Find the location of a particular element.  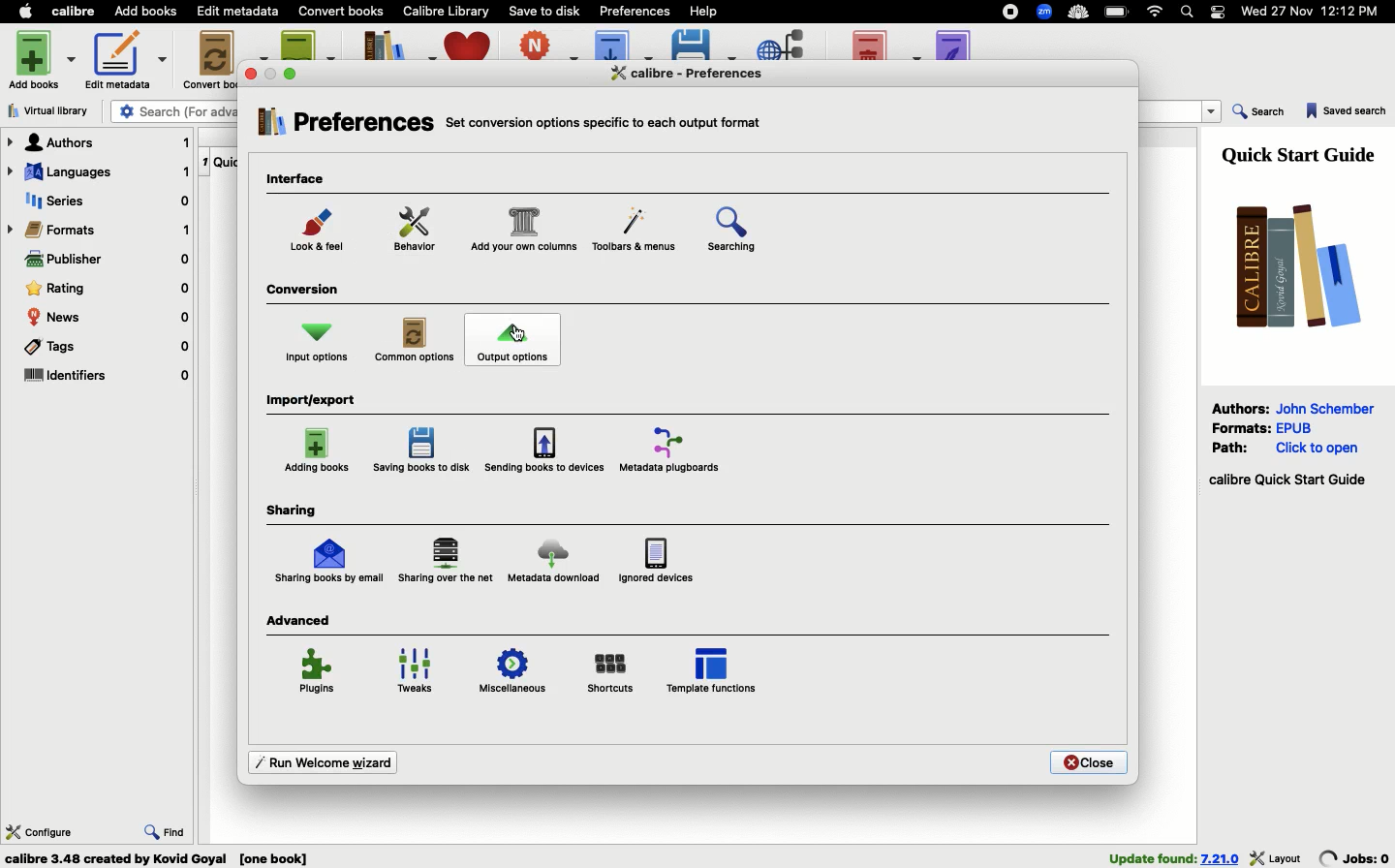

Ignored devices is located at coordinates (655, 559).